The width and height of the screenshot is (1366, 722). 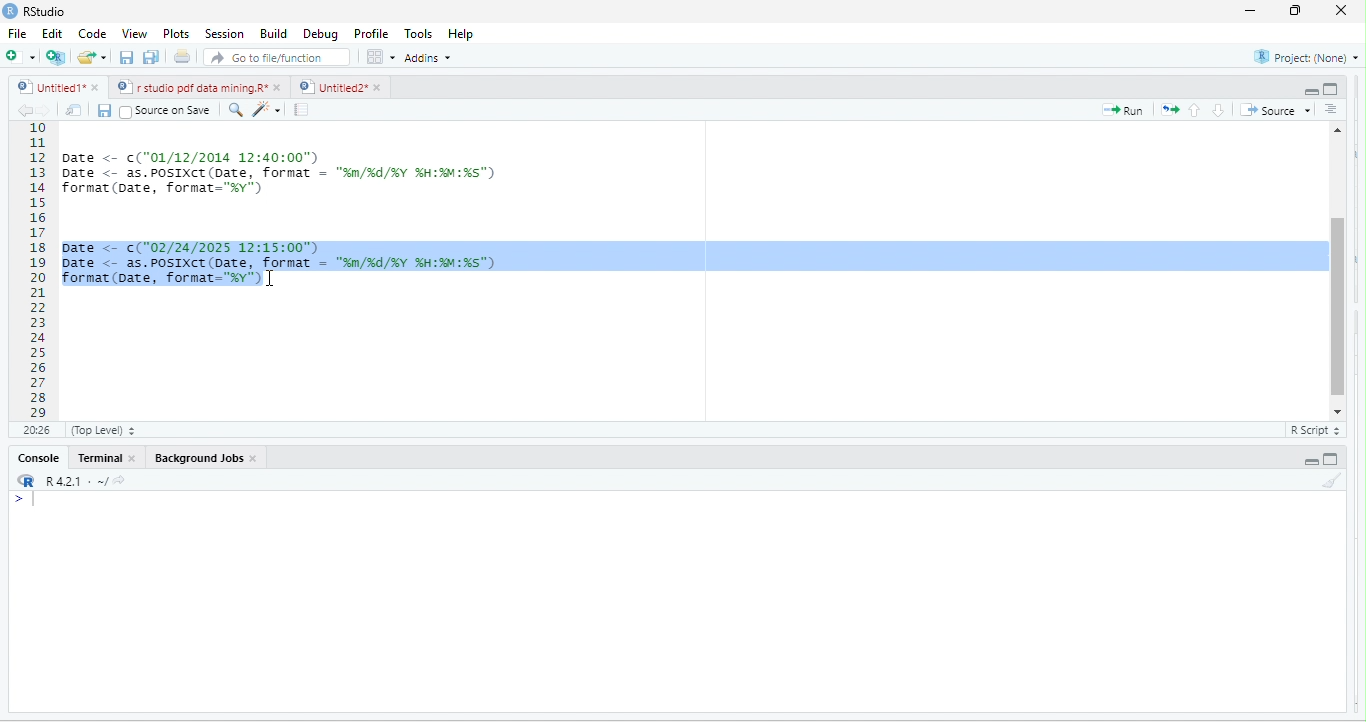 I want to click on close, so click(x=94, y=87).